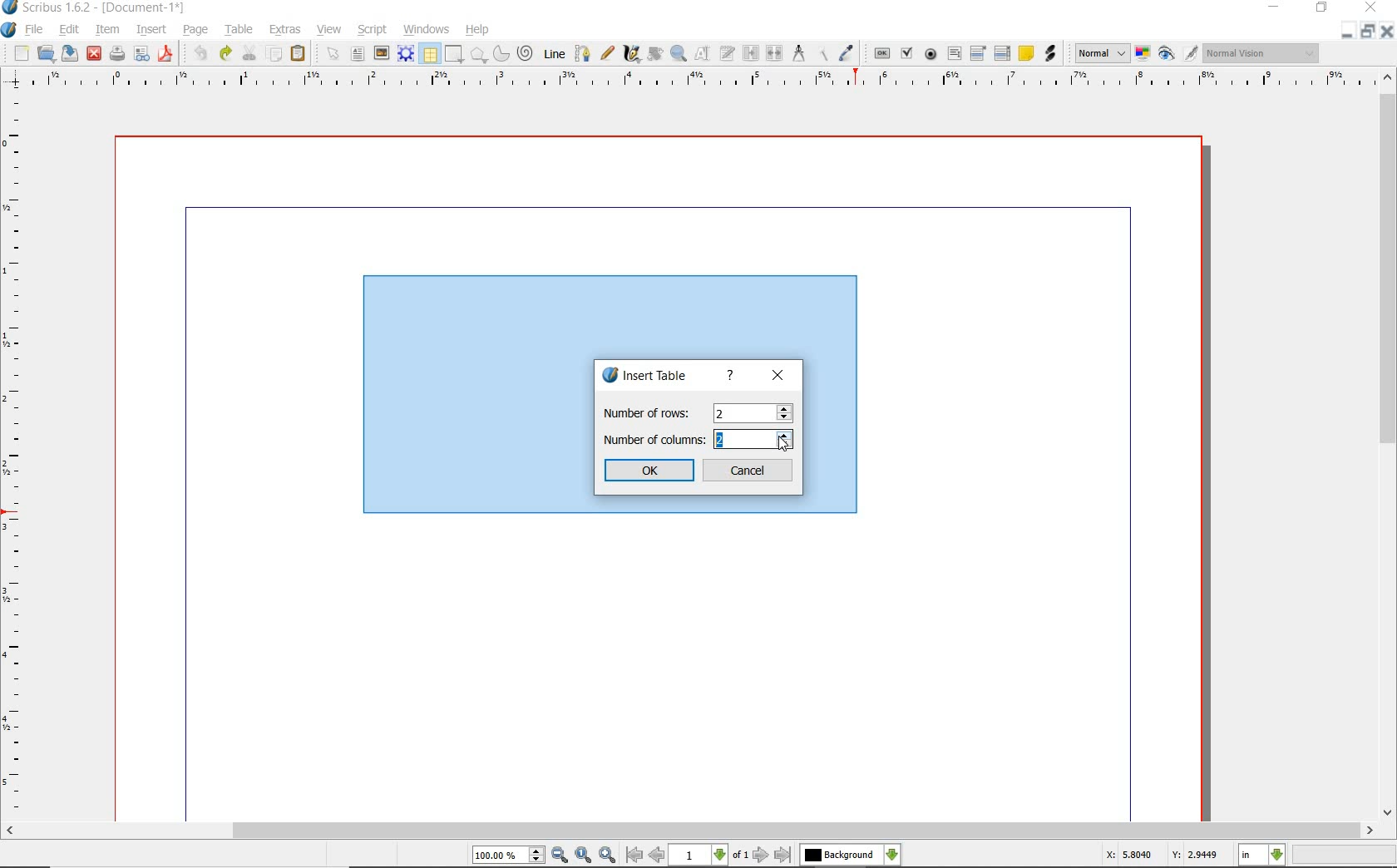 The image size is (1397, 868). Describe the element at coordinates (955, 53) in the screenshot. I see `pdf text field` at that location.